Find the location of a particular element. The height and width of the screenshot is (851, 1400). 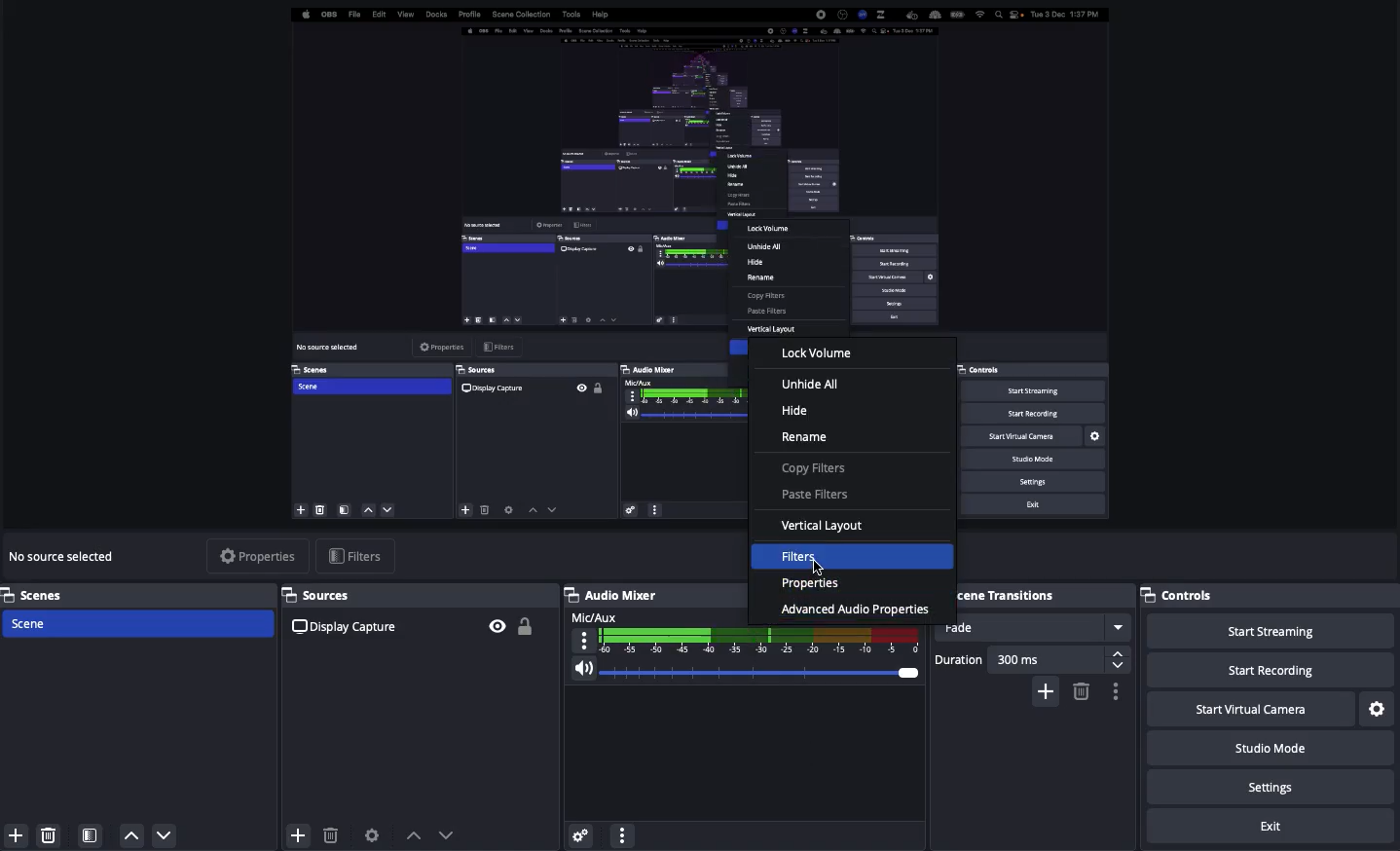

Move up is located at coordinates (414, 834).